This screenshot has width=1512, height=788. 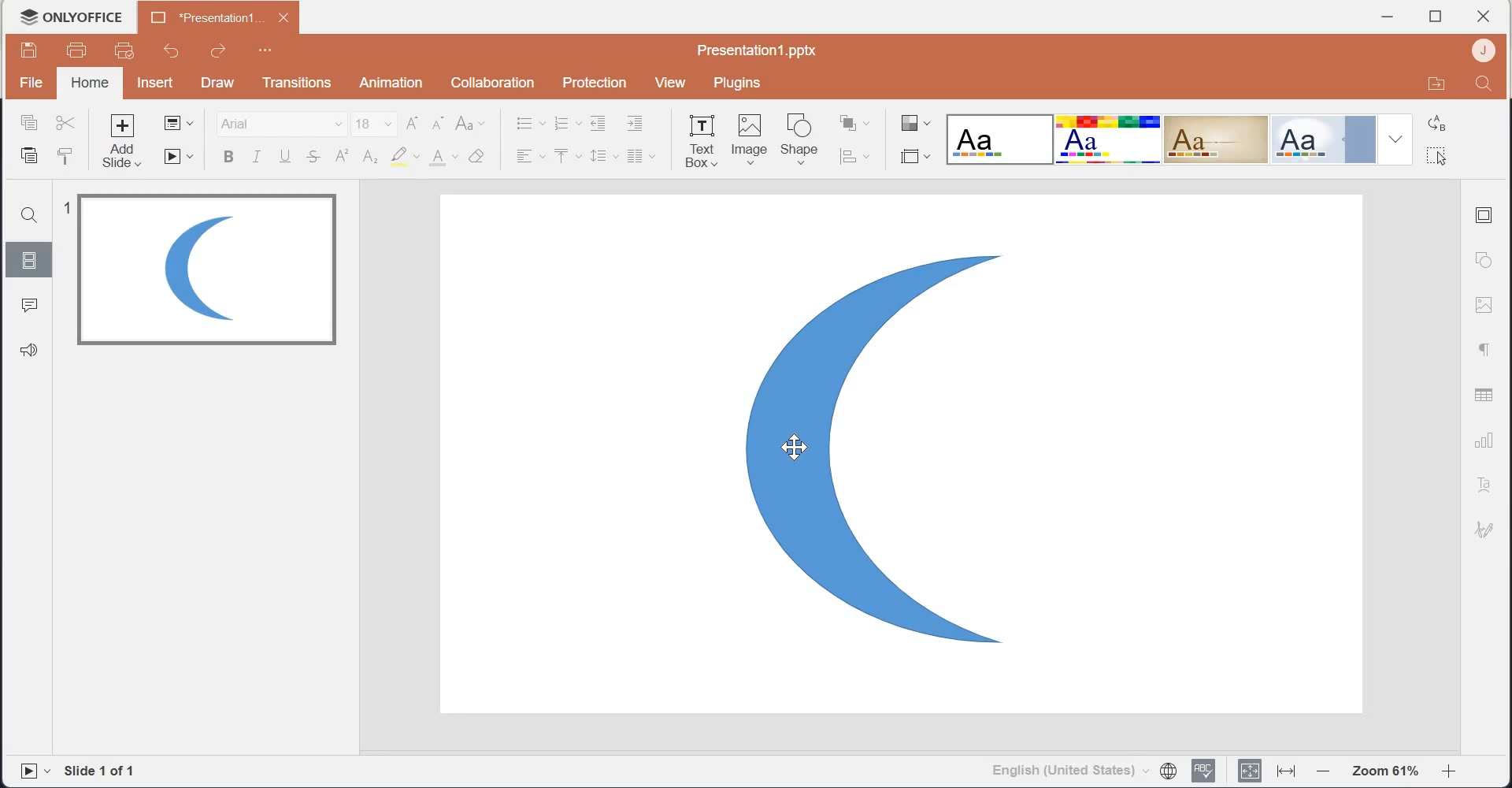 I want to click on Search, so click(x=1483, y=84).